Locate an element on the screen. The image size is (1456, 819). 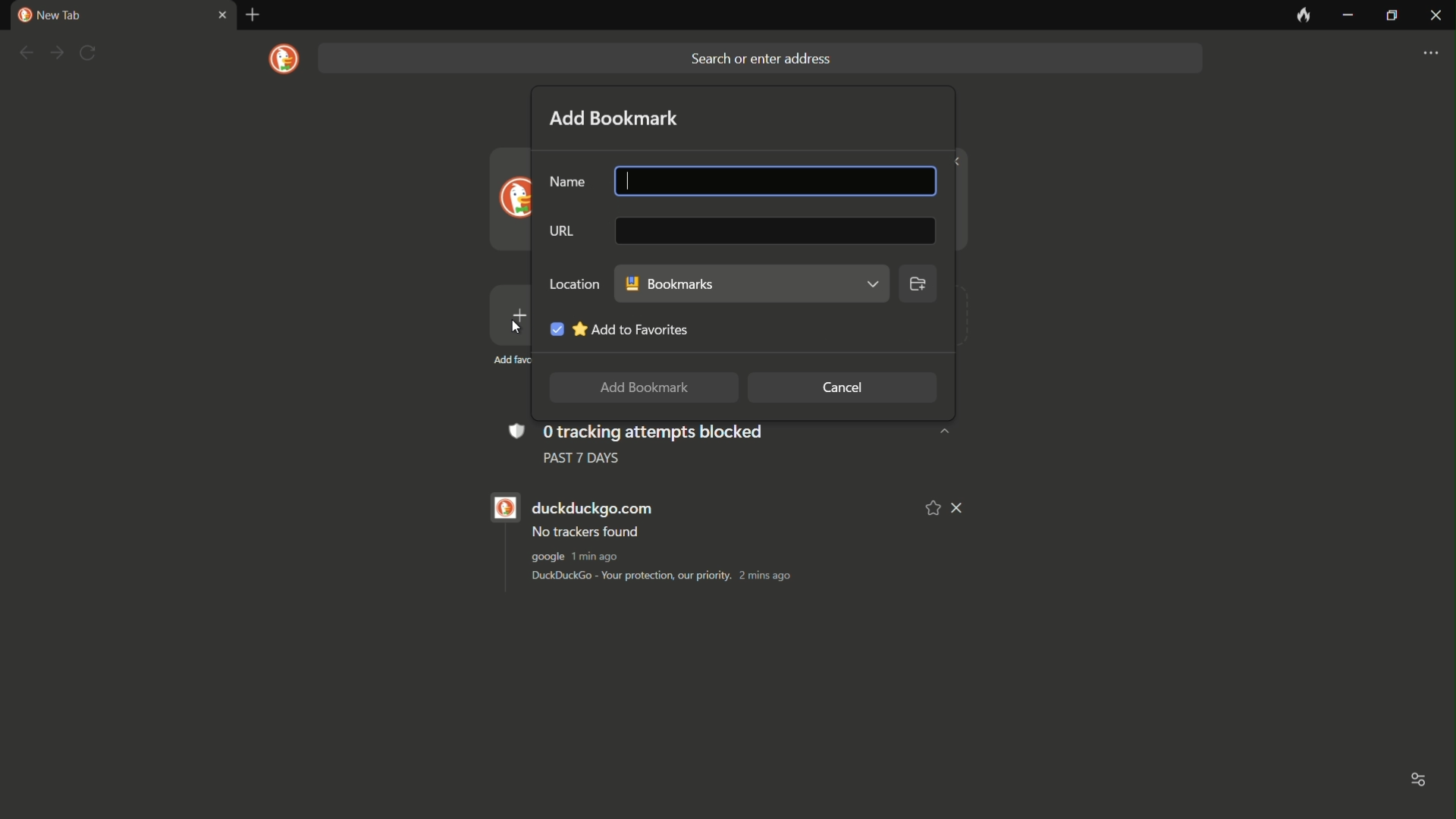
name is located at coordinates (568, 183).